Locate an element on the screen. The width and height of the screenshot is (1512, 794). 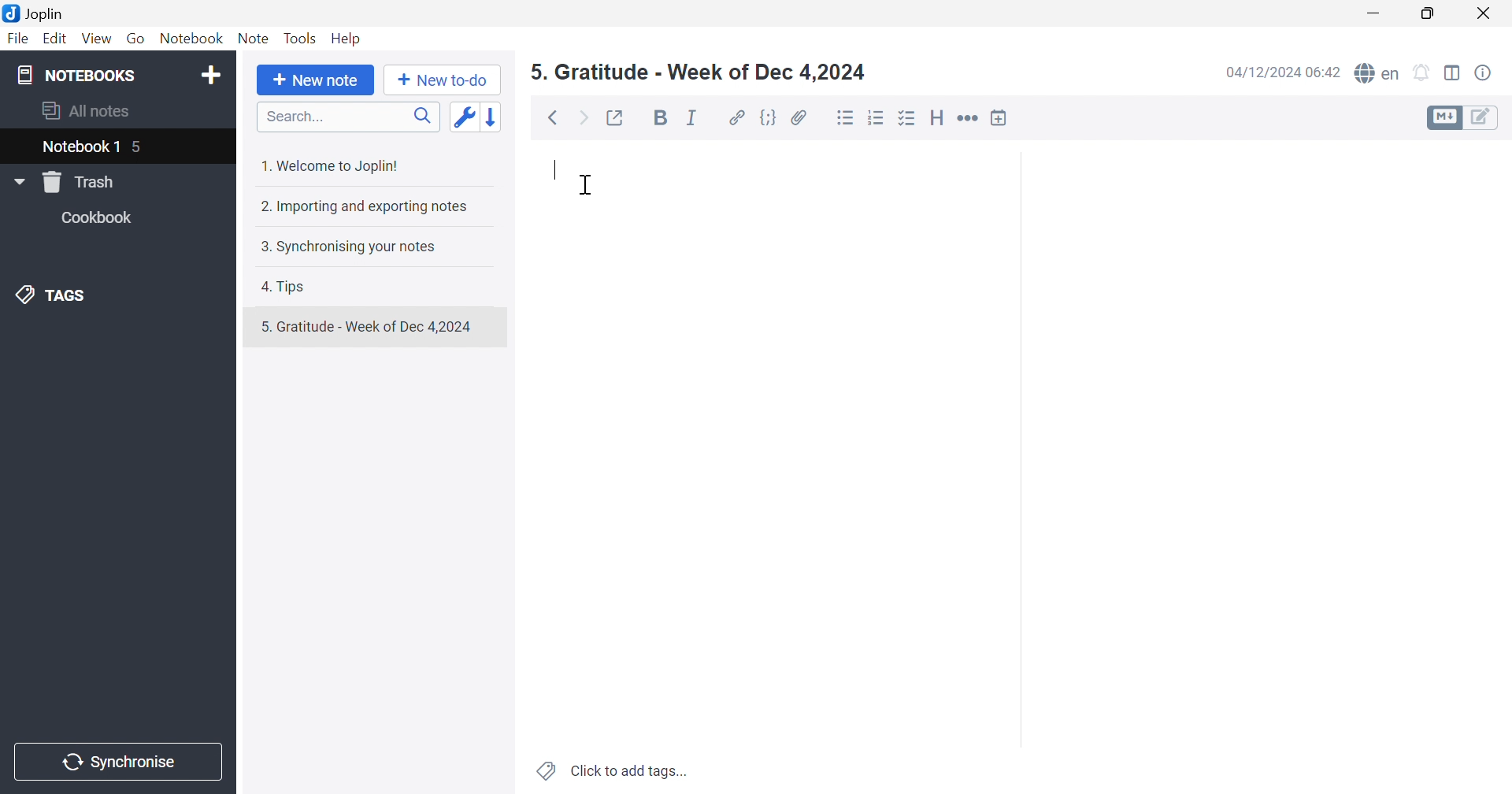
View is located at coordinates (96, 40).